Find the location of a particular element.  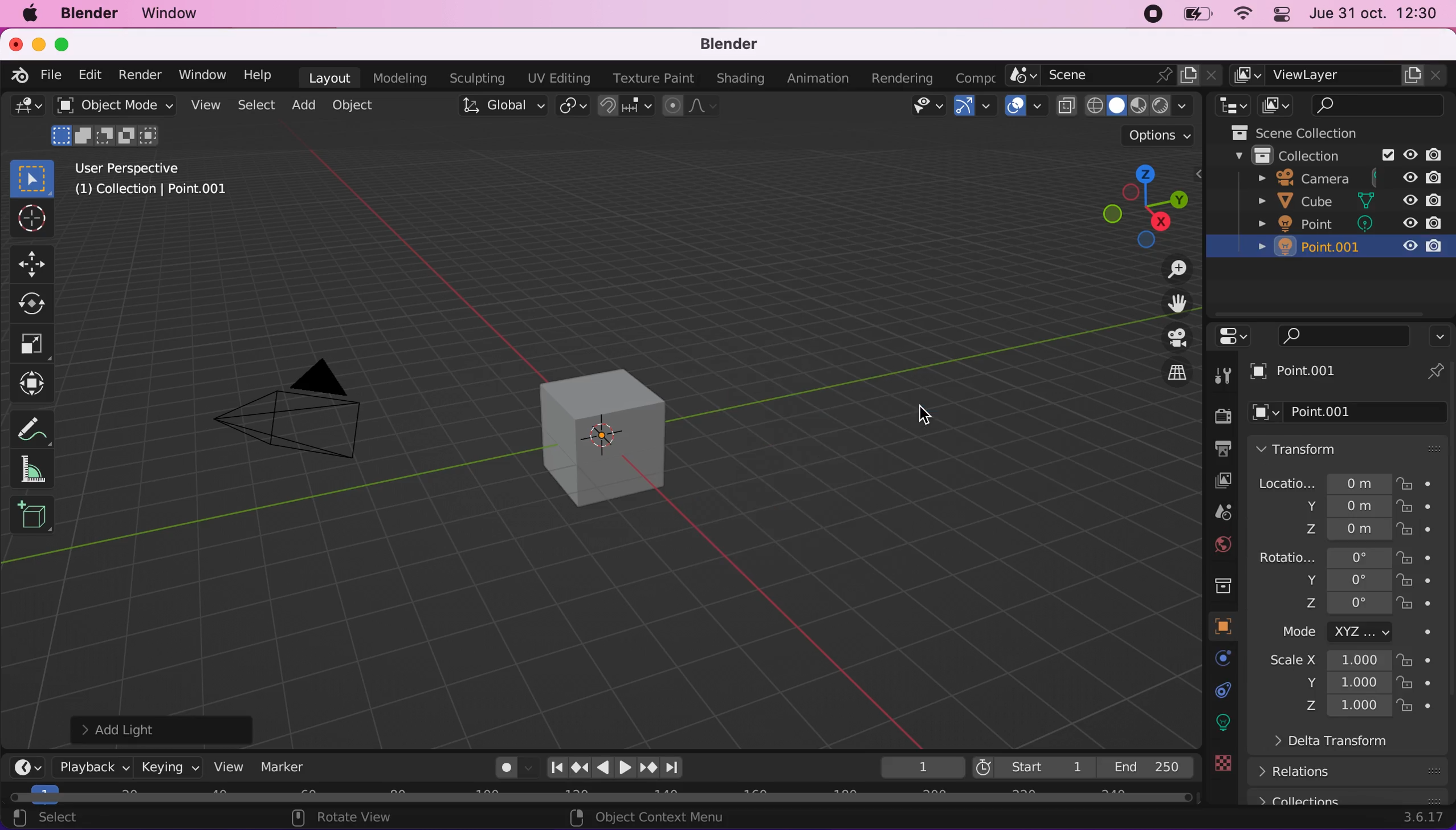

material is located at coordinates (1224, 721).